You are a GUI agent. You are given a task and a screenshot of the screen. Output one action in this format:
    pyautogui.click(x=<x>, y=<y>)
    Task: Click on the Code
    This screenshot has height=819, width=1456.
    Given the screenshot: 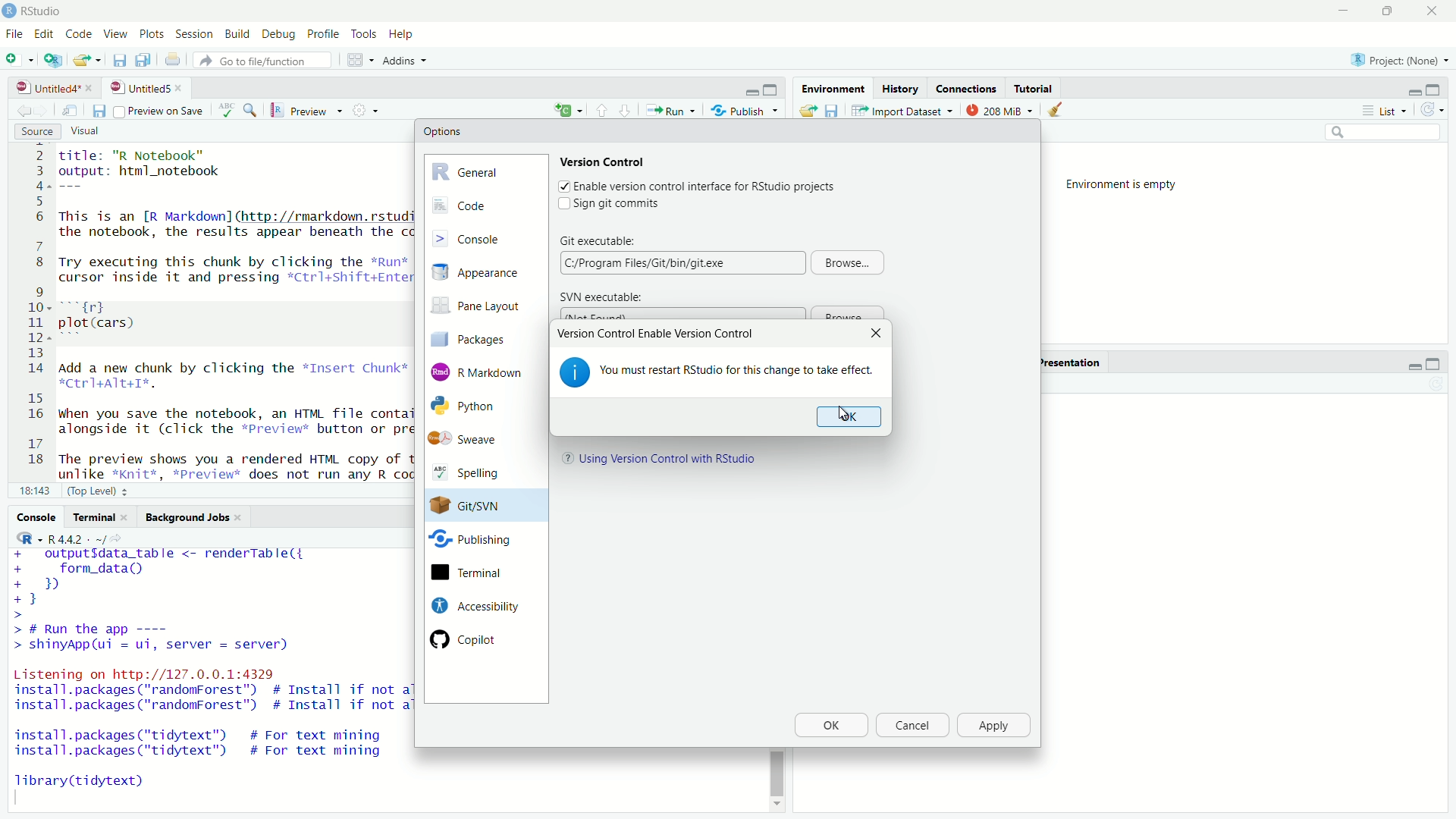 What is the action you would take?
    pyautogui.click(x=485, y=206)
    